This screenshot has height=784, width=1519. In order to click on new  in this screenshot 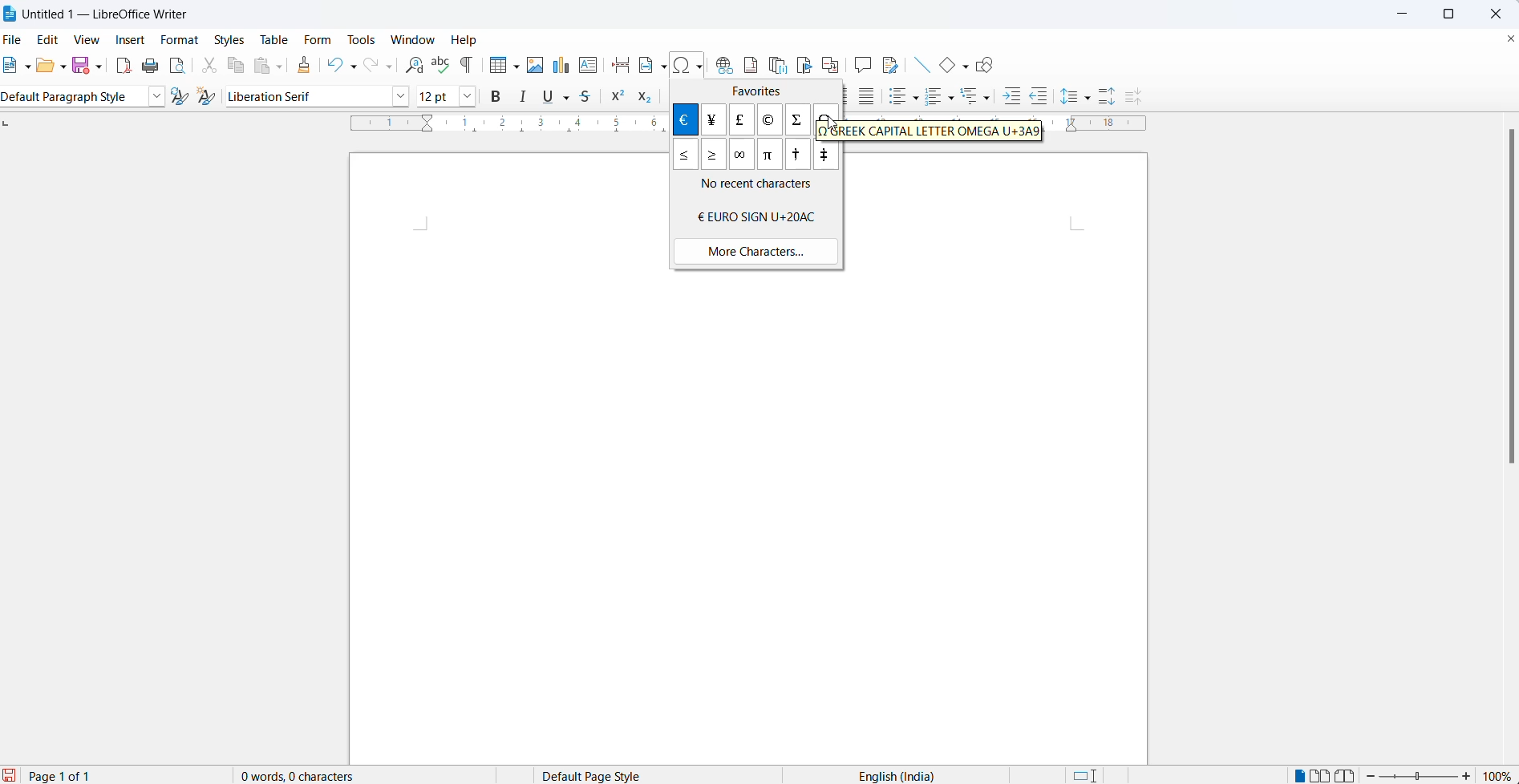, I will do `click(12, 66)`.